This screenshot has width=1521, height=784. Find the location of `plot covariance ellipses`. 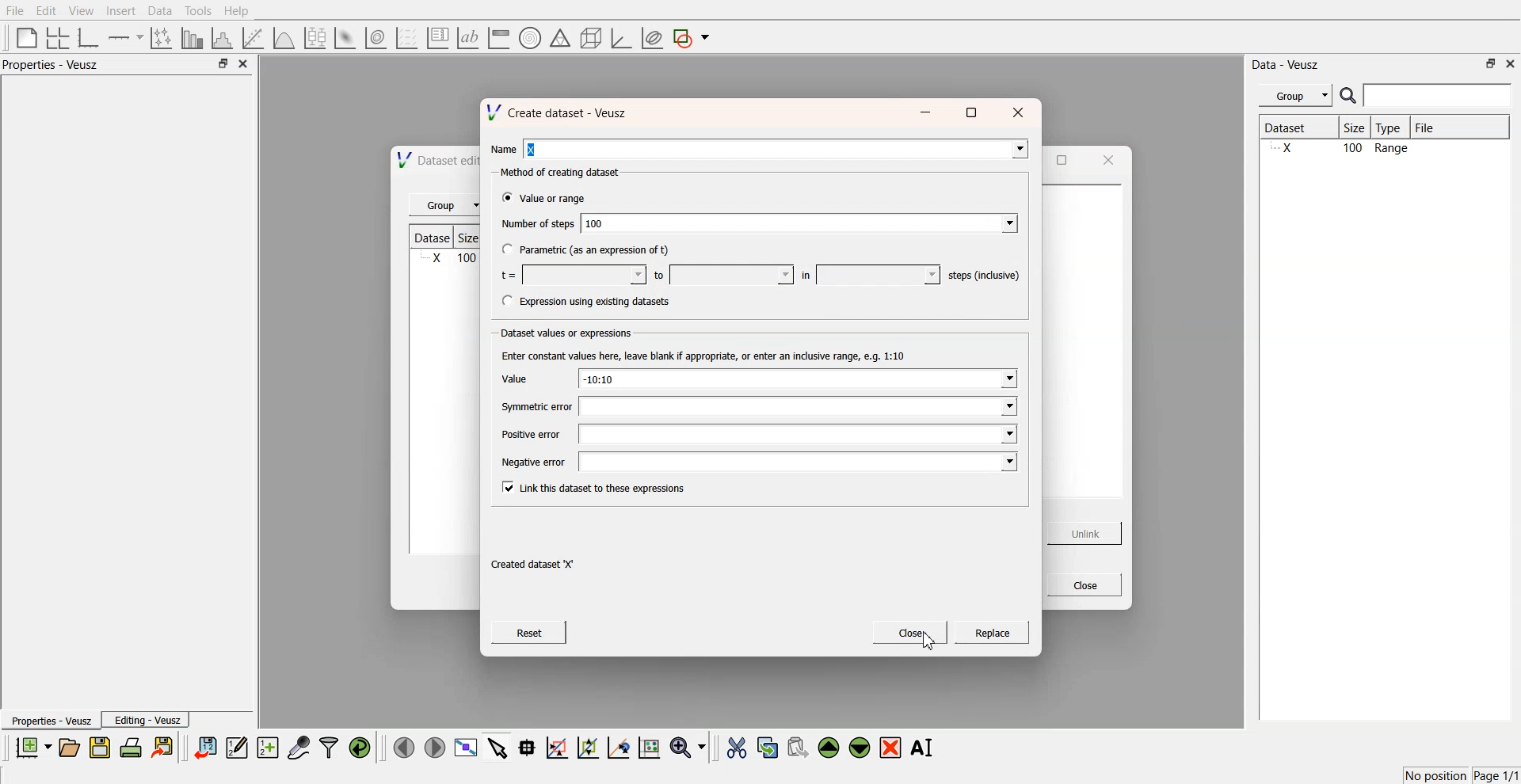

plot covariance ellipses is located at coordinates (651, 39).